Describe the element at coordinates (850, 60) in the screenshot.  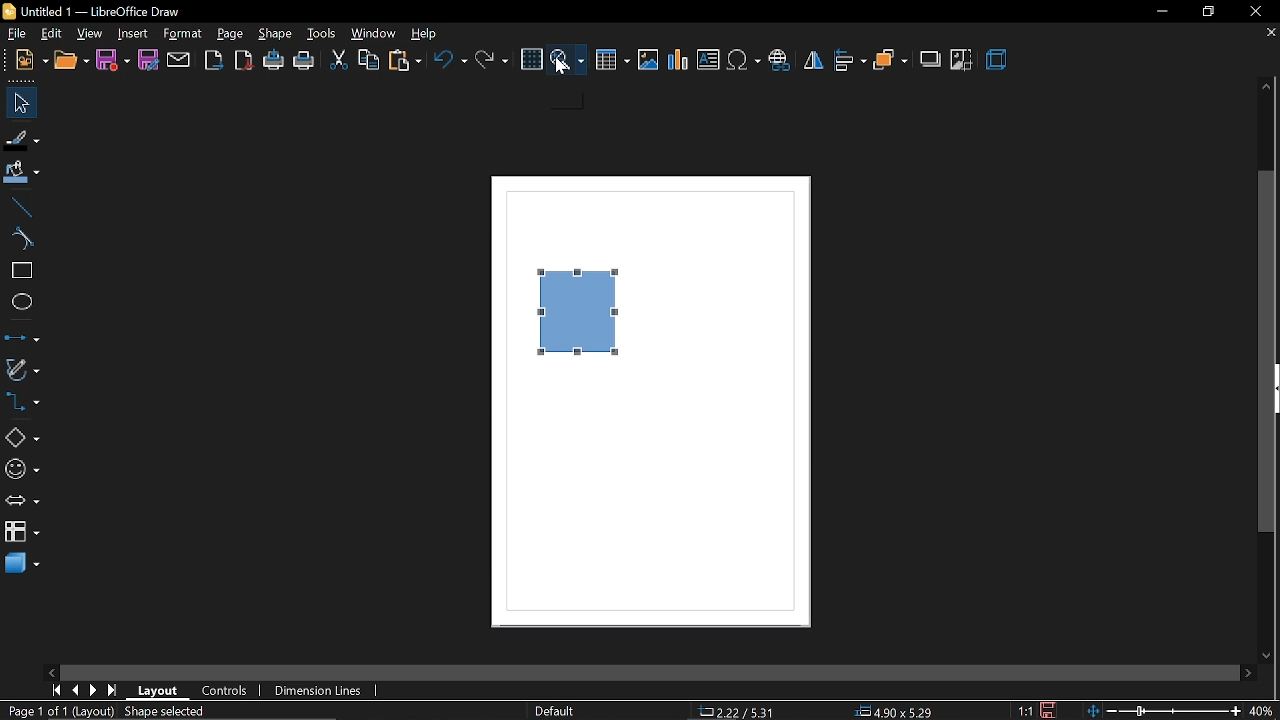
I see `align` at that location.